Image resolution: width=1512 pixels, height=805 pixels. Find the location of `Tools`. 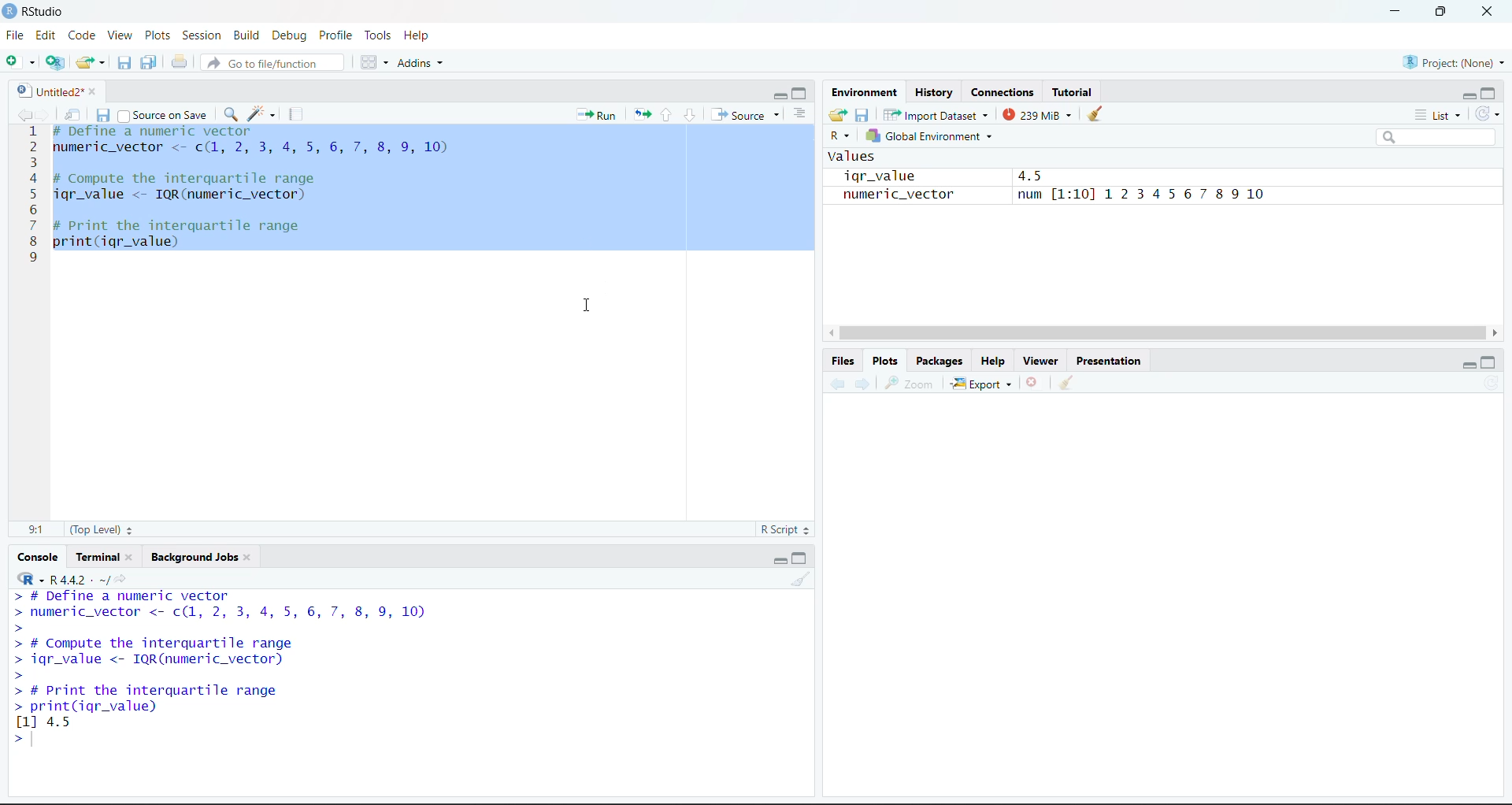

Tools is located at coordinates (377, 35).